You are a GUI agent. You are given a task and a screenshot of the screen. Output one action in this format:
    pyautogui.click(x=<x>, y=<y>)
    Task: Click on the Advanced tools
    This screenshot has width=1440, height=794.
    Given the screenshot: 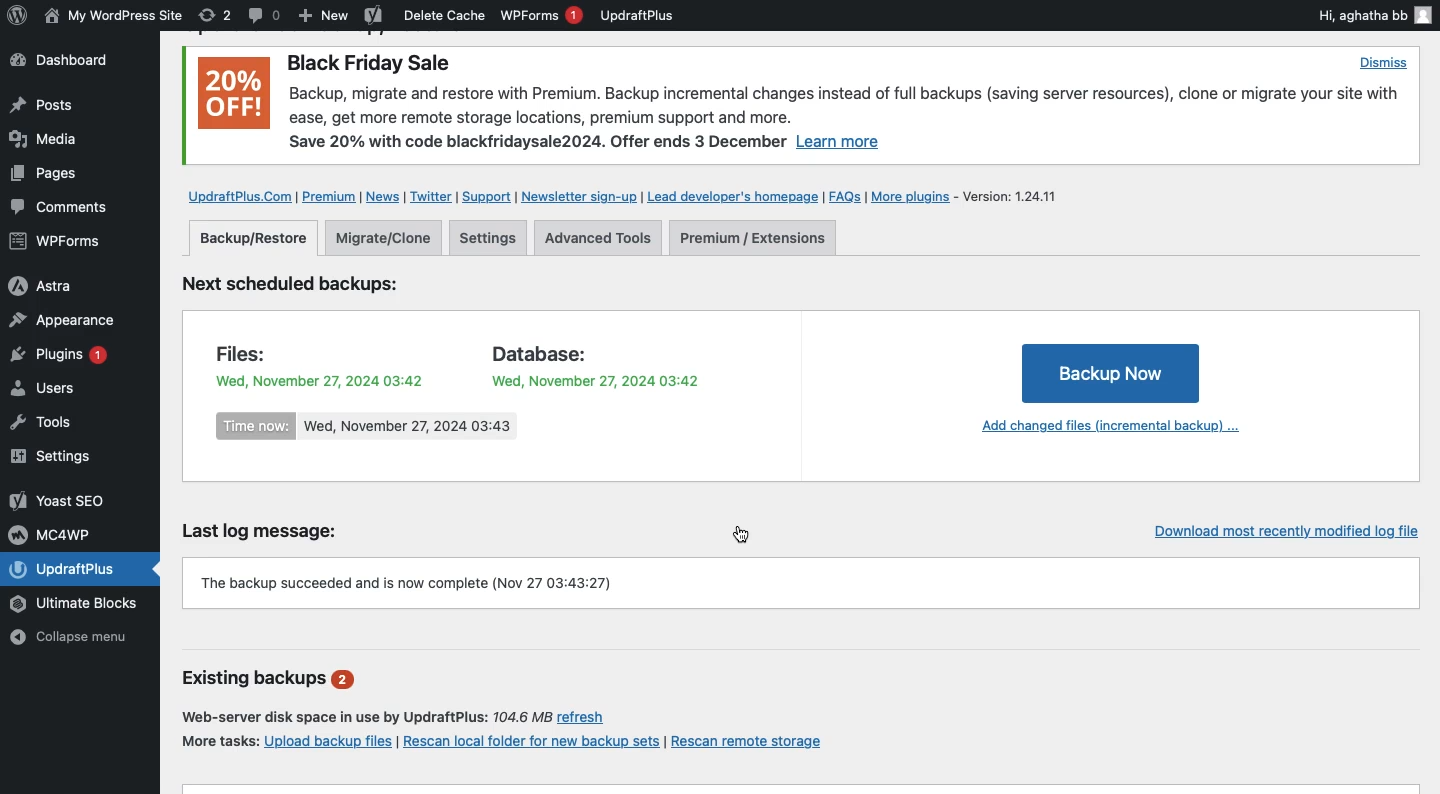 What is the action you would take?
    pyautogui.click(x=595, y=238)
    